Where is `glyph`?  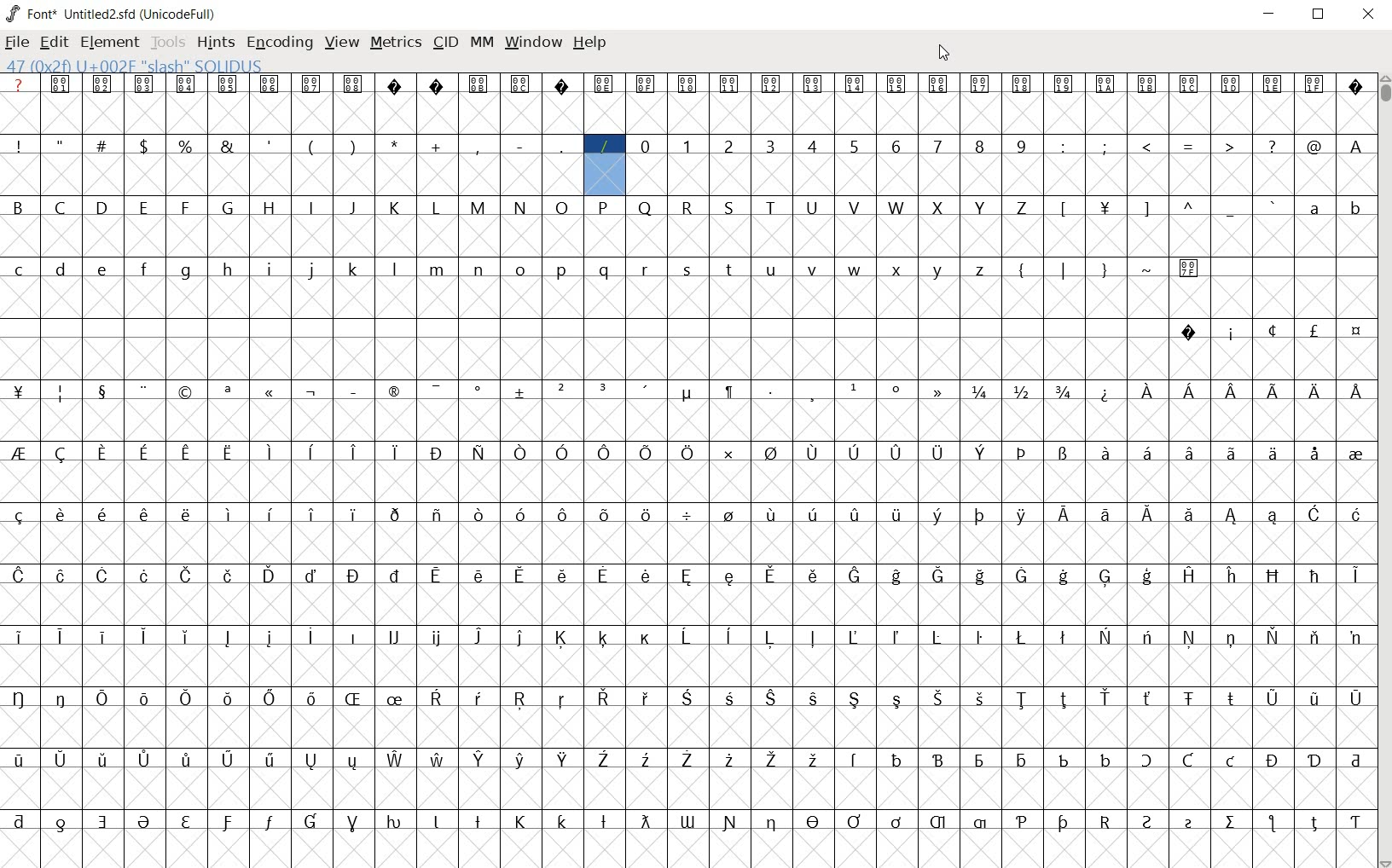 glyph is located at coordinates (143, 269).